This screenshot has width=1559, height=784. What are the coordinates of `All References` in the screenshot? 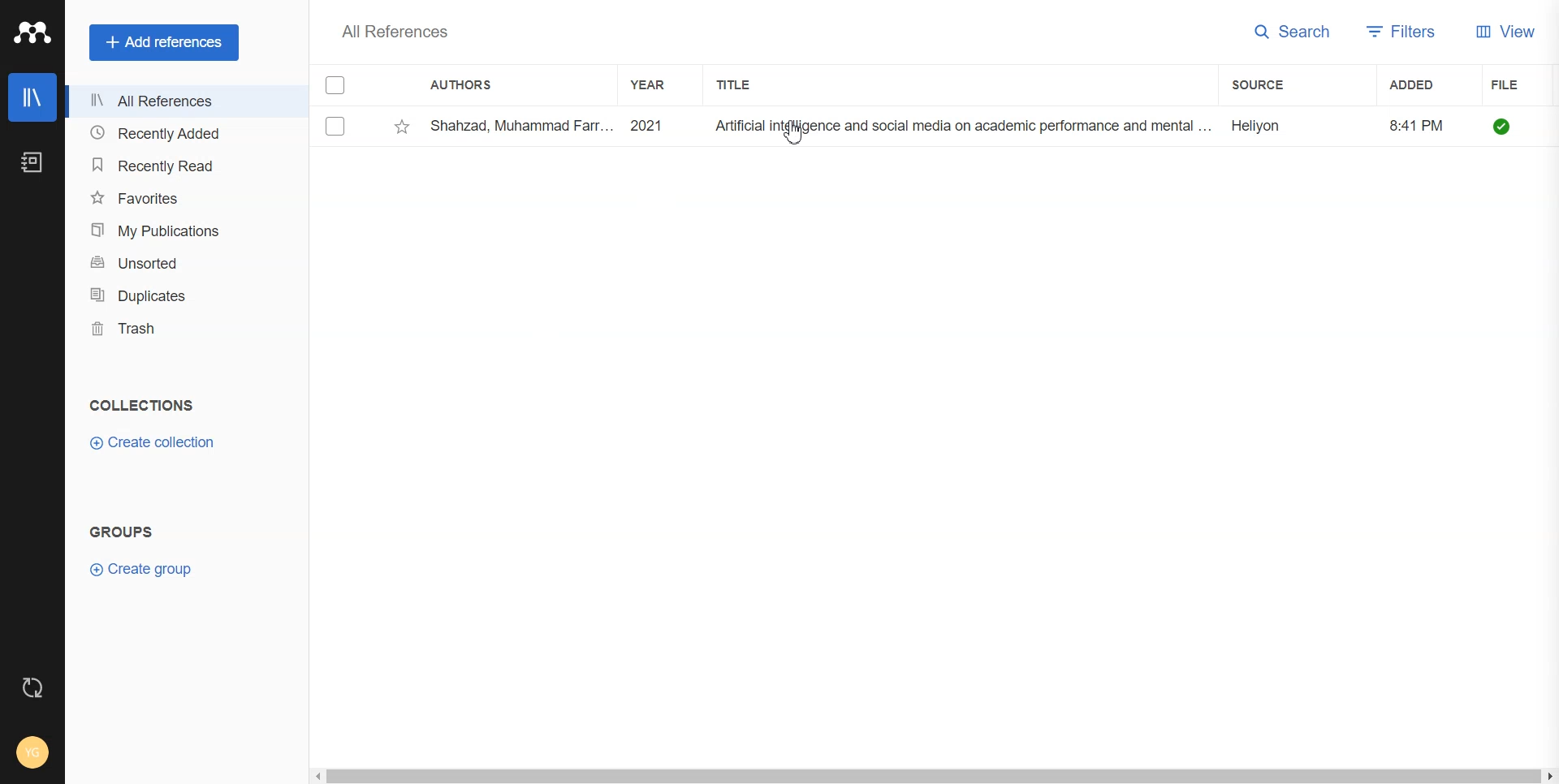 It's located at (184, 101).